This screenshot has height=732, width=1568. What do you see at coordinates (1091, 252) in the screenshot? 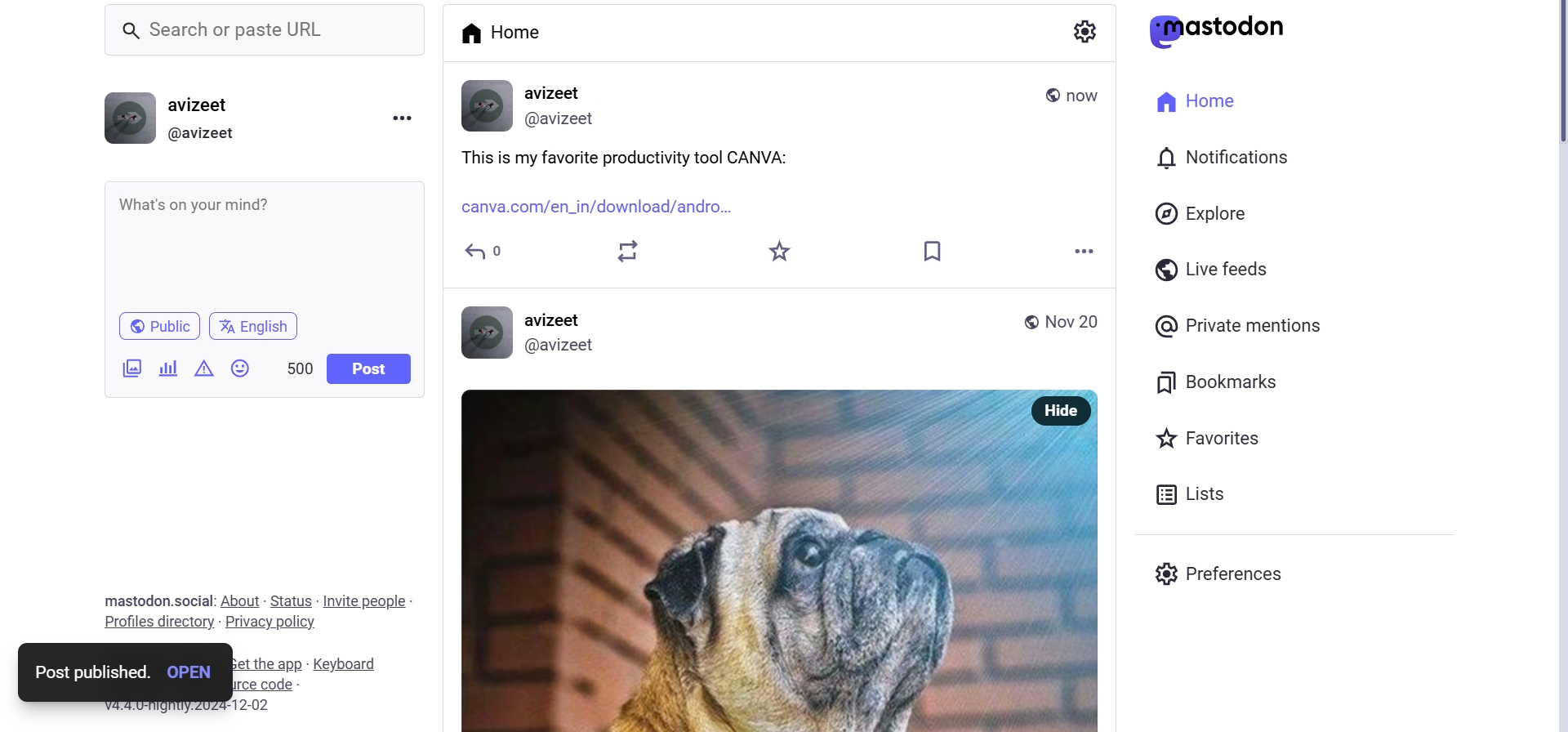
I see `more` at bounding box center [1091, 252].